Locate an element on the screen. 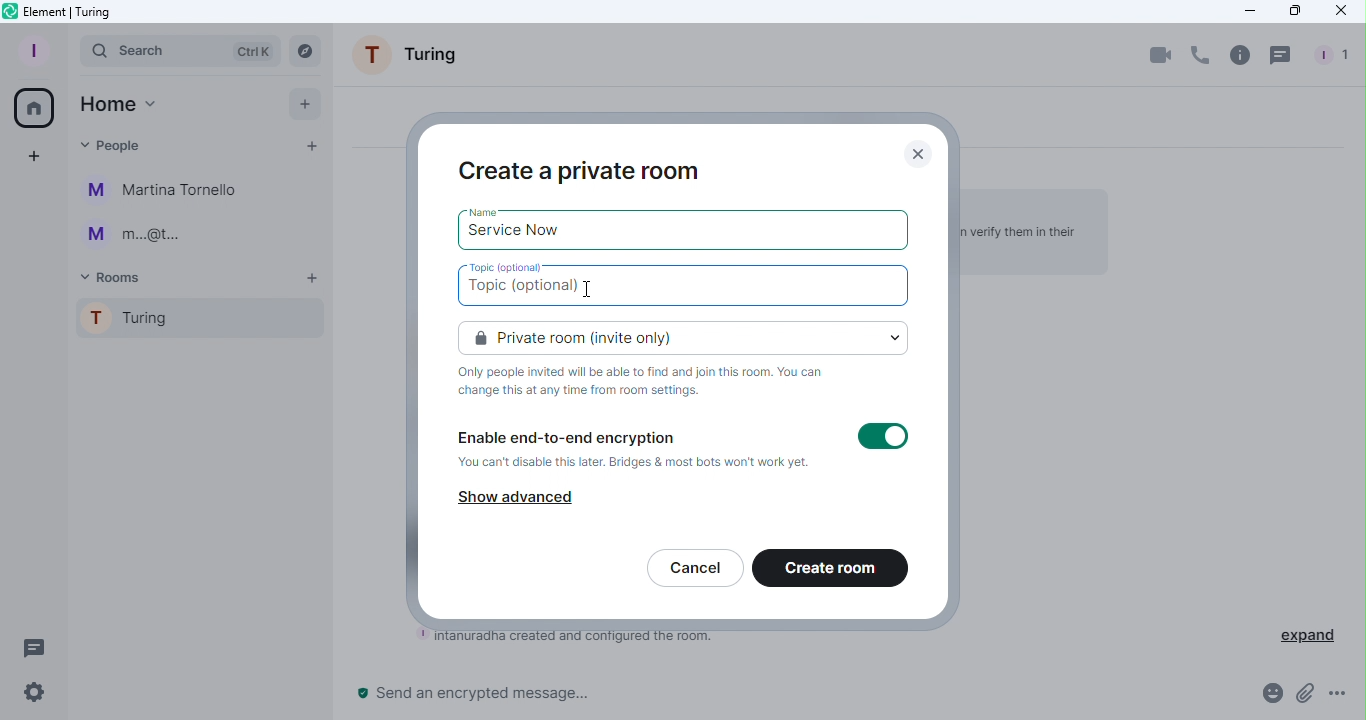 This screenshot has height=720, width=1366. Quick settings is located at coordinates (27, 696).